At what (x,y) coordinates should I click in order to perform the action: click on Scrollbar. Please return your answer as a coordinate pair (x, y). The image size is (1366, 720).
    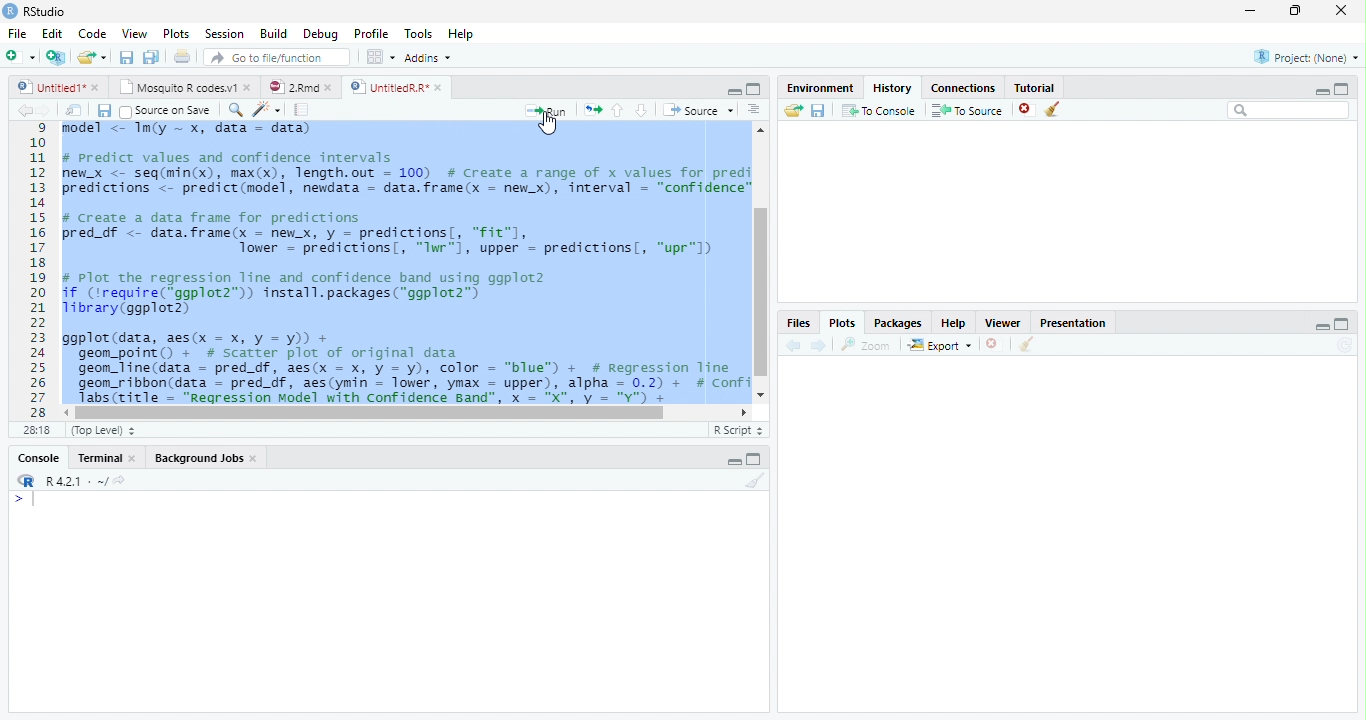
    Looking at the image, I should click on (409, 412).